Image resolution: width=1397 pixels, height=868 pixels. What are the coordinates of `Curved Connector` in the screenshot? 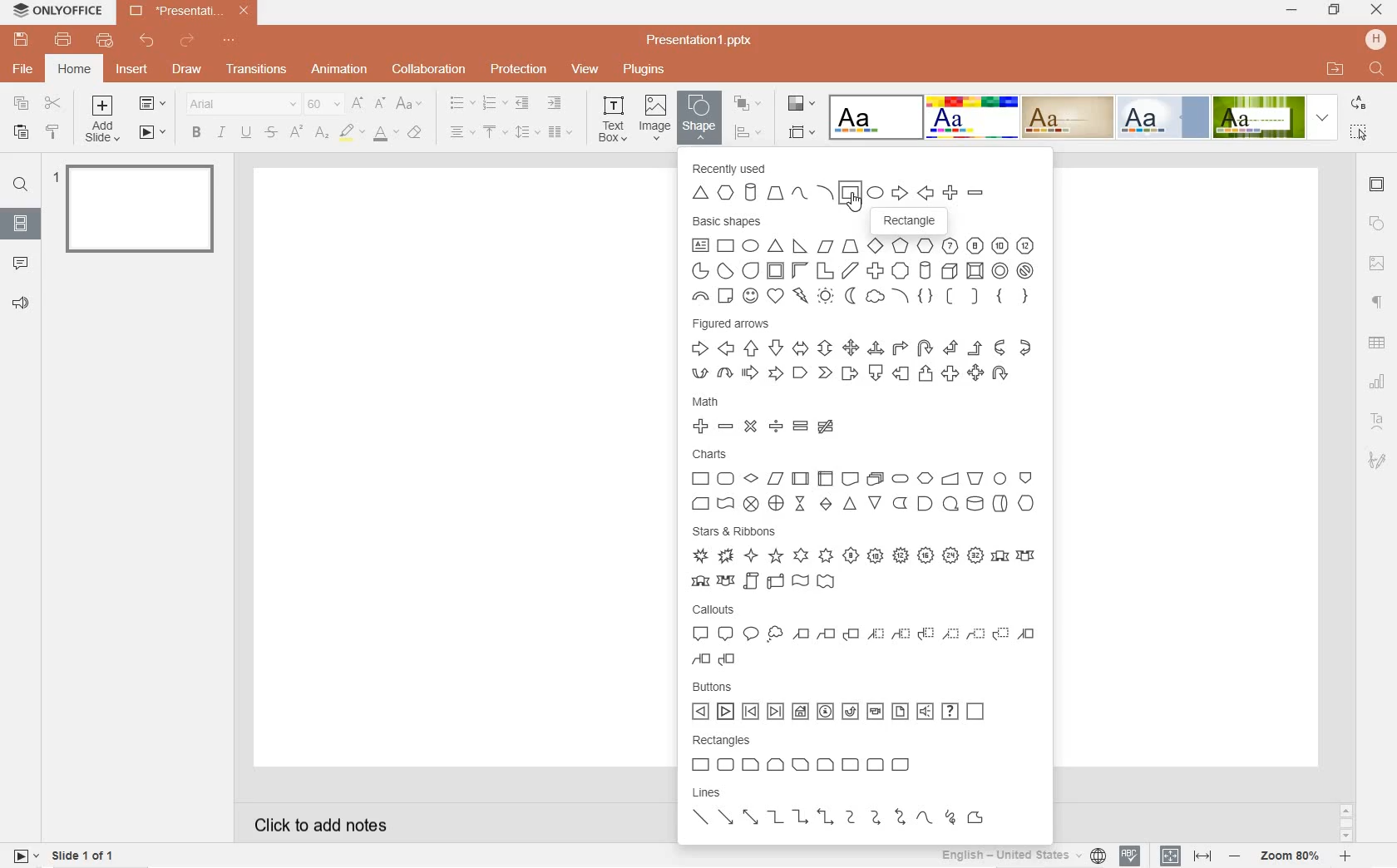 It's located at (852, 819).